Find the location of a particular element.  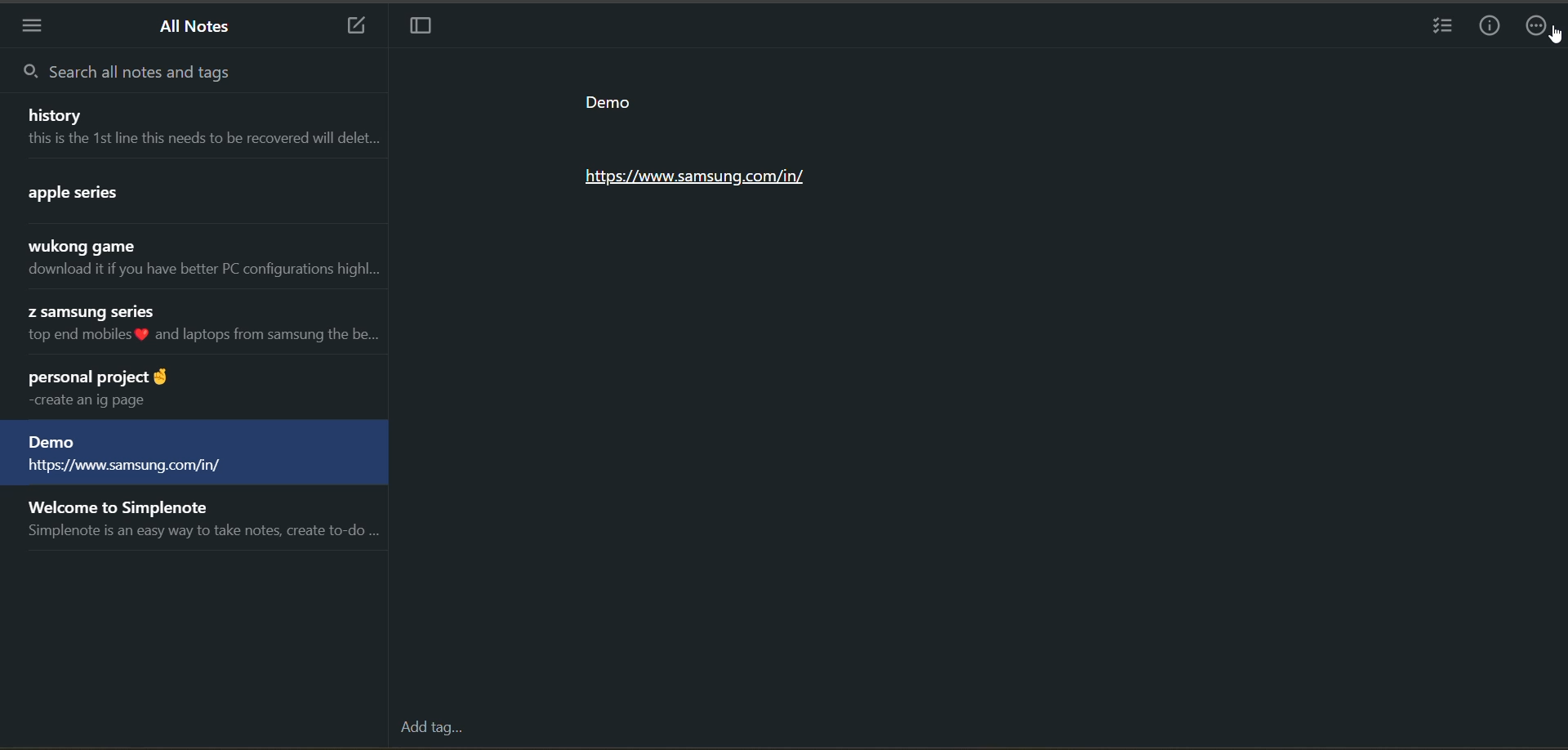

new note is located at coordinates (348, 25).